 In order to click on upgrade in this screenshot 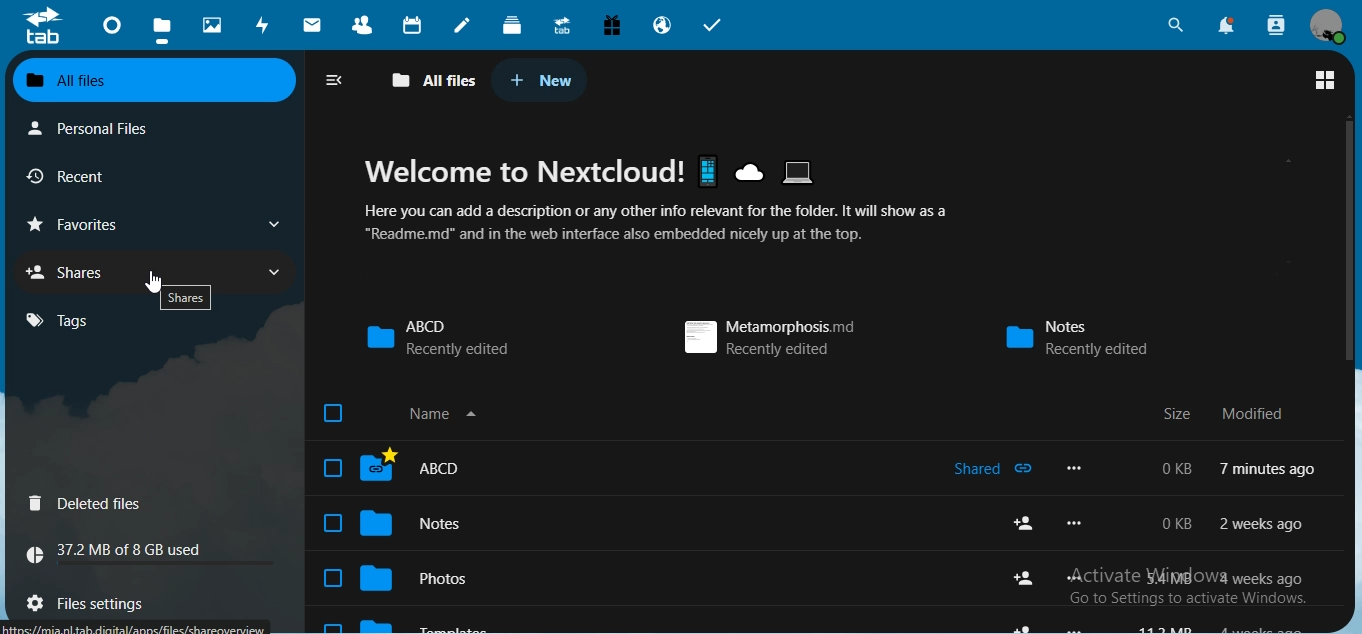, I will do `click(565, 27)`.